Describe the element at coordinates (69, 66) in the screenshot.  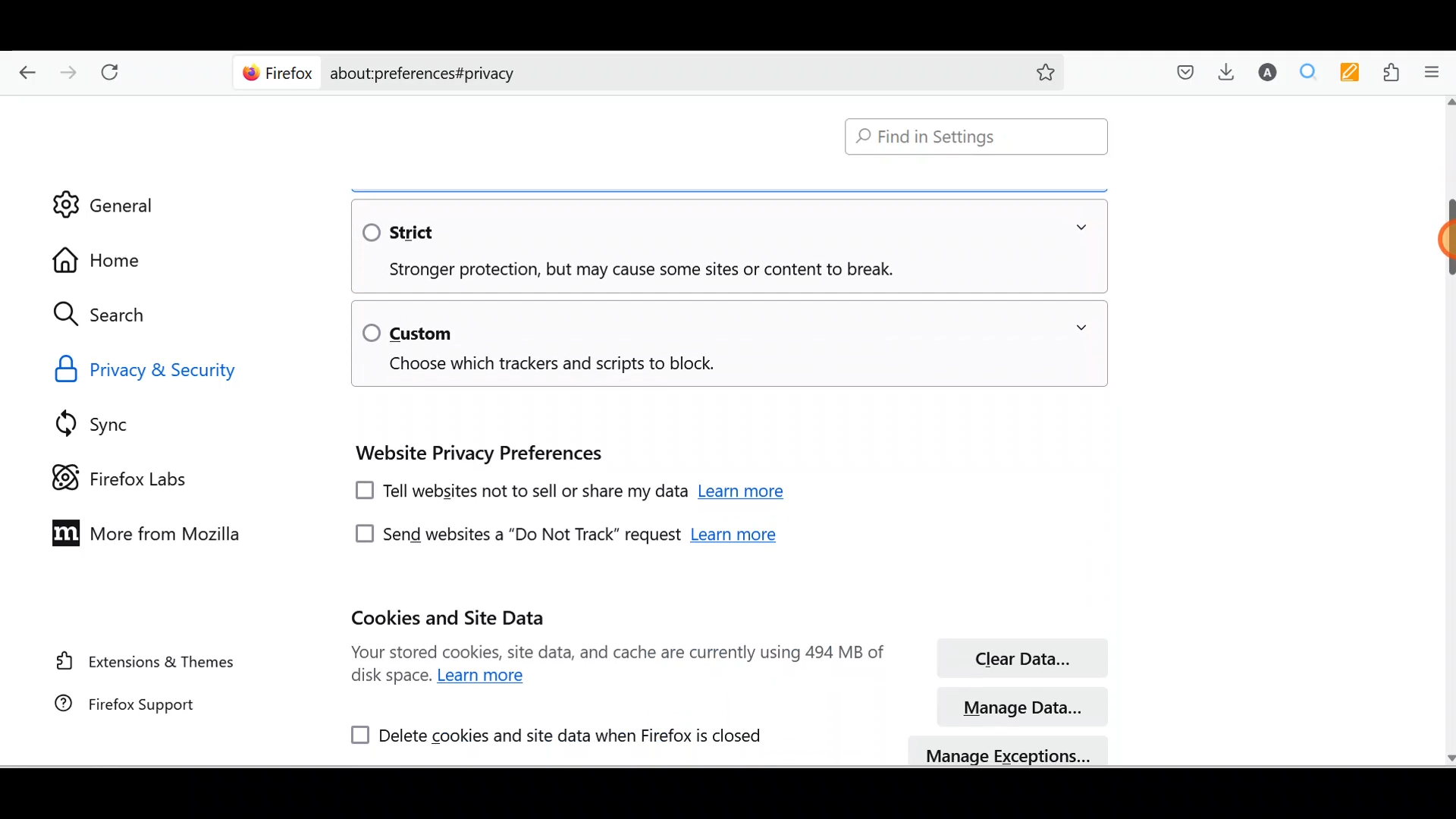
I see `Go forward one page` at that location.